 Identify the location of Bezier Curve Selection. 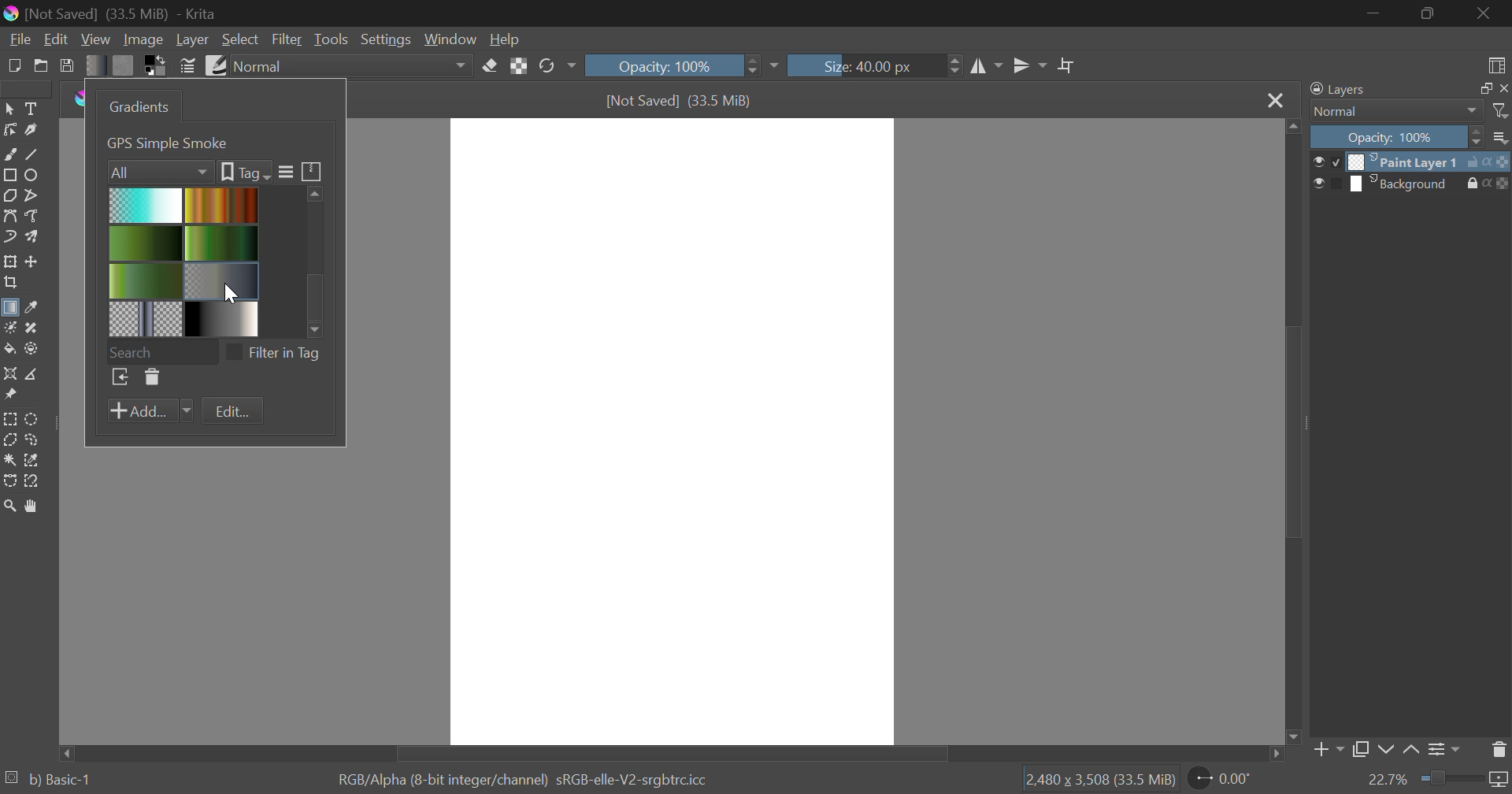
(9, 479).